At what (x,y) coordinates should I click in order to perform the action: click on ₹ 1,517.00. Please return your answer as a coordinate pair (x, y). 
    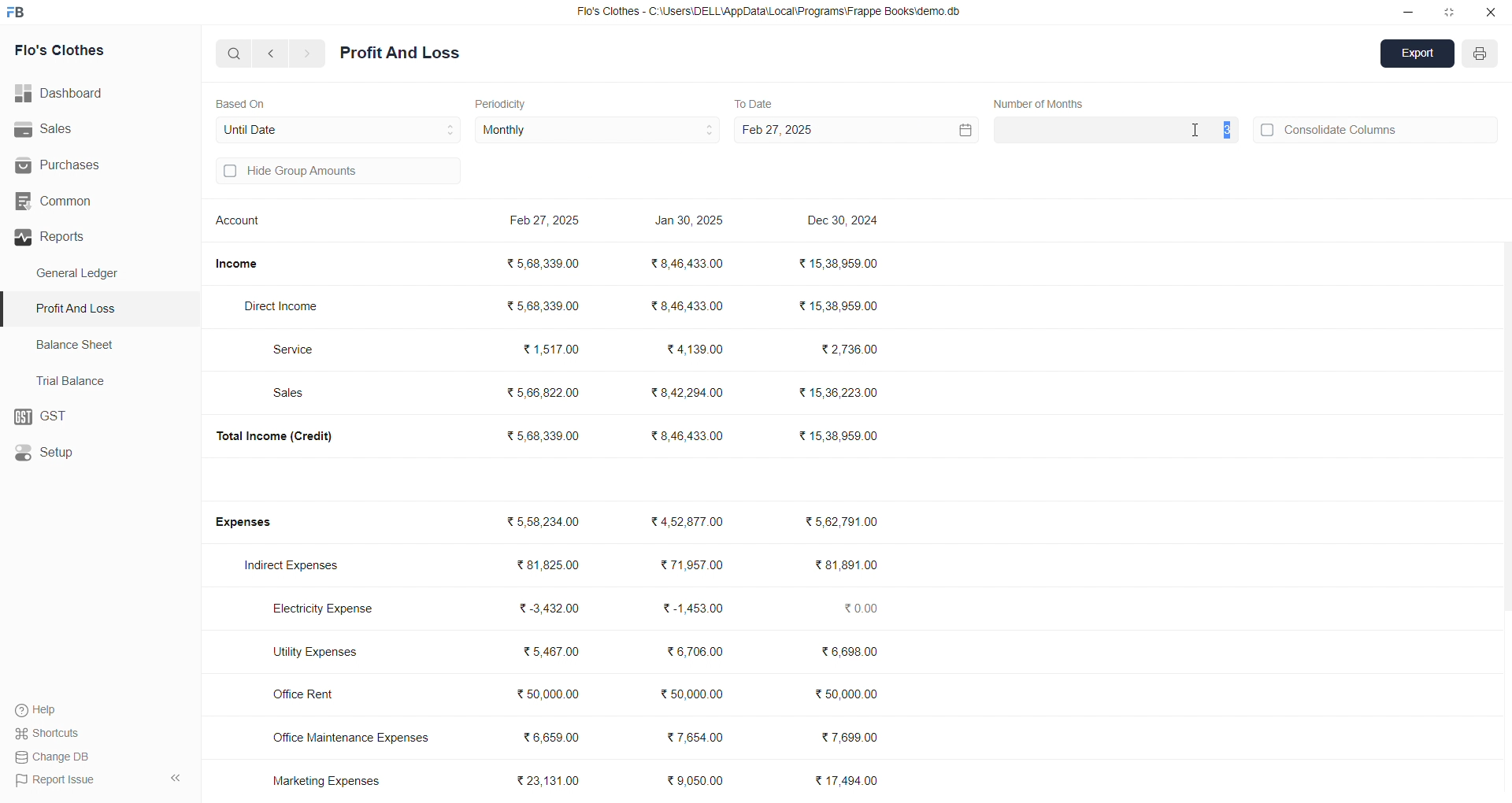
    Looking at the image, I should click on (551, 348).